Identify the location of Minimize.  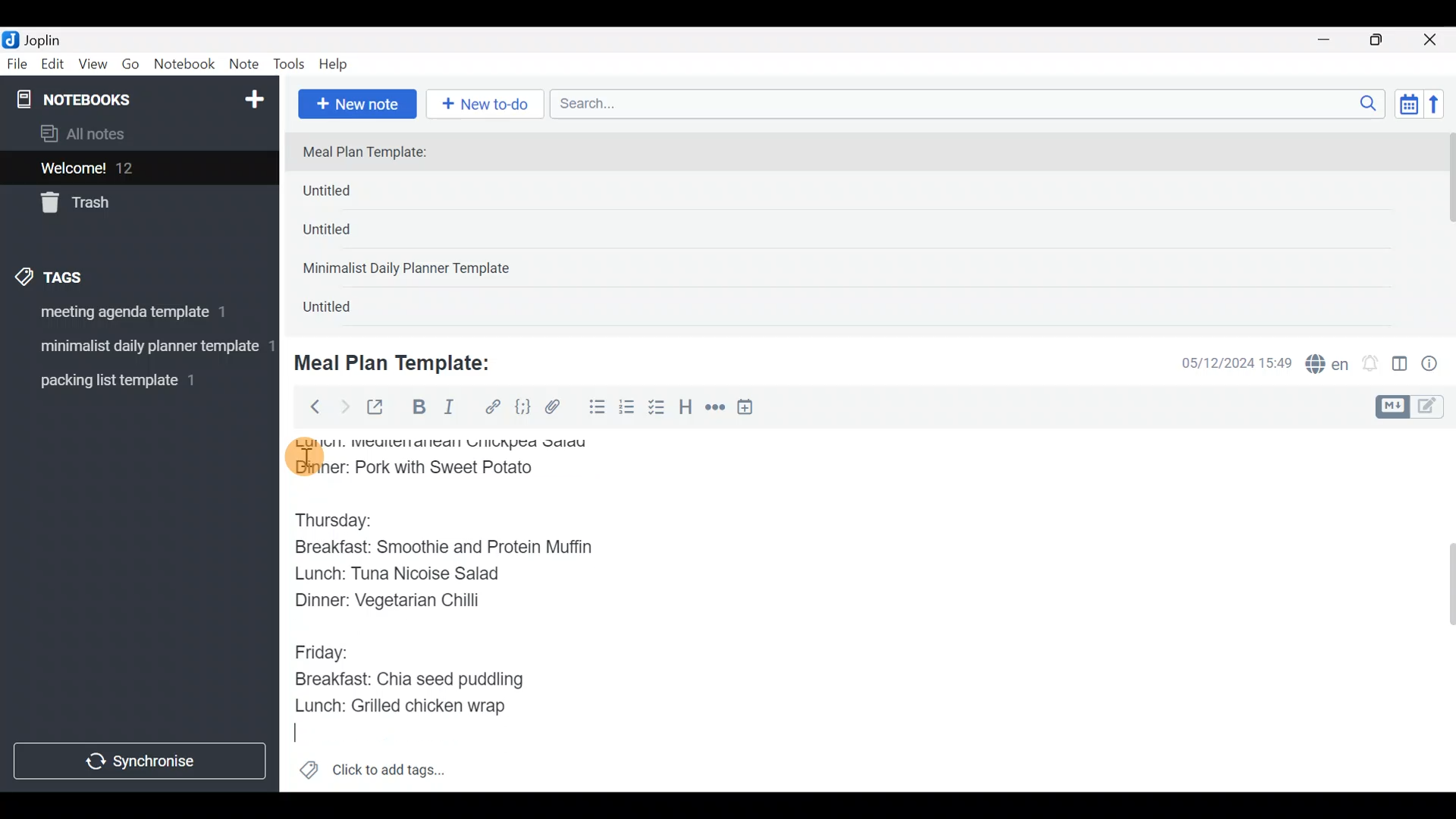
(1332, 38).